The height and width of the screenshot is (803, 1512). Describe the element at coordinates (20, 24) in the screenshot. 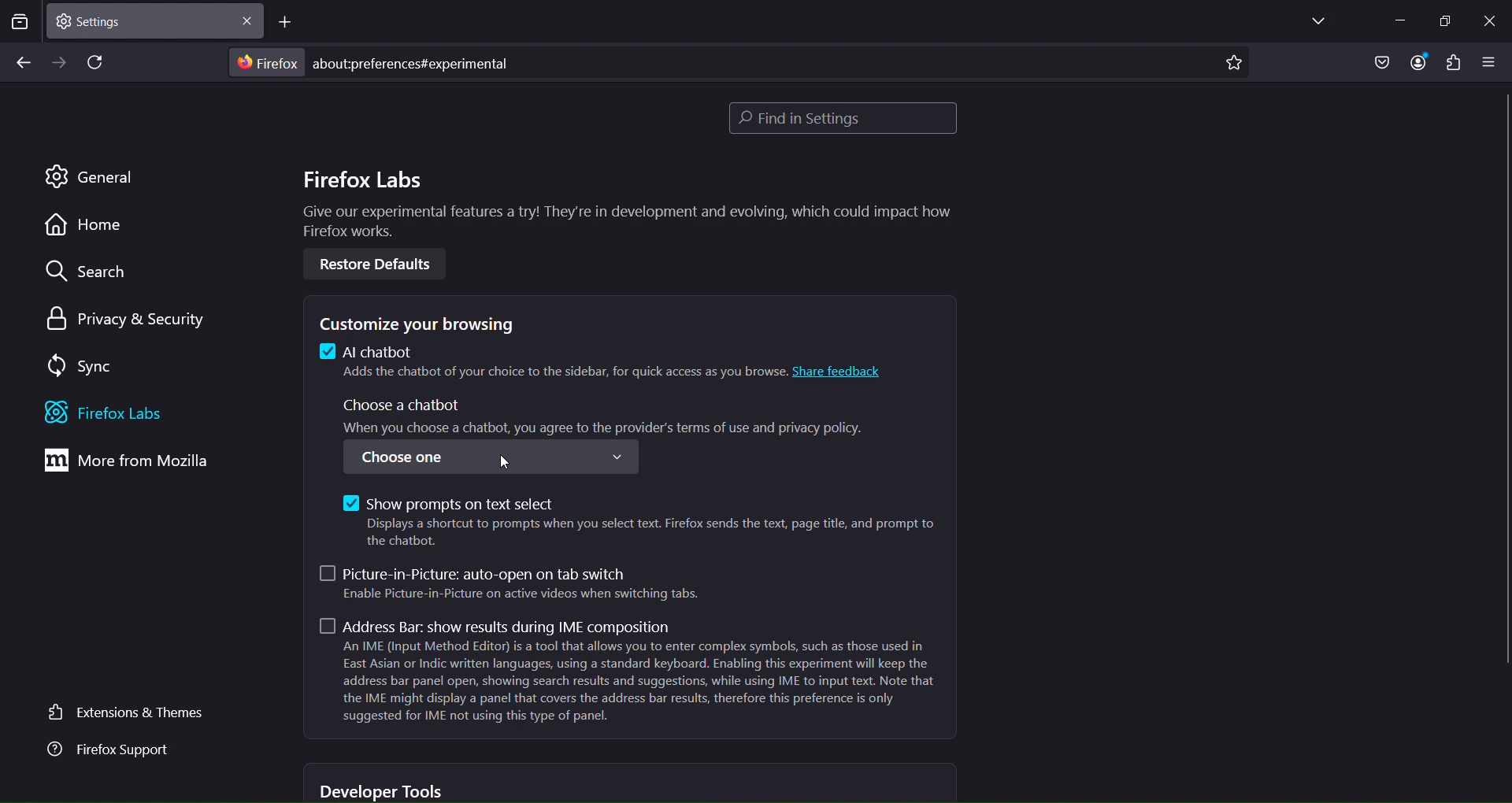

I see `search tabs` at that location.